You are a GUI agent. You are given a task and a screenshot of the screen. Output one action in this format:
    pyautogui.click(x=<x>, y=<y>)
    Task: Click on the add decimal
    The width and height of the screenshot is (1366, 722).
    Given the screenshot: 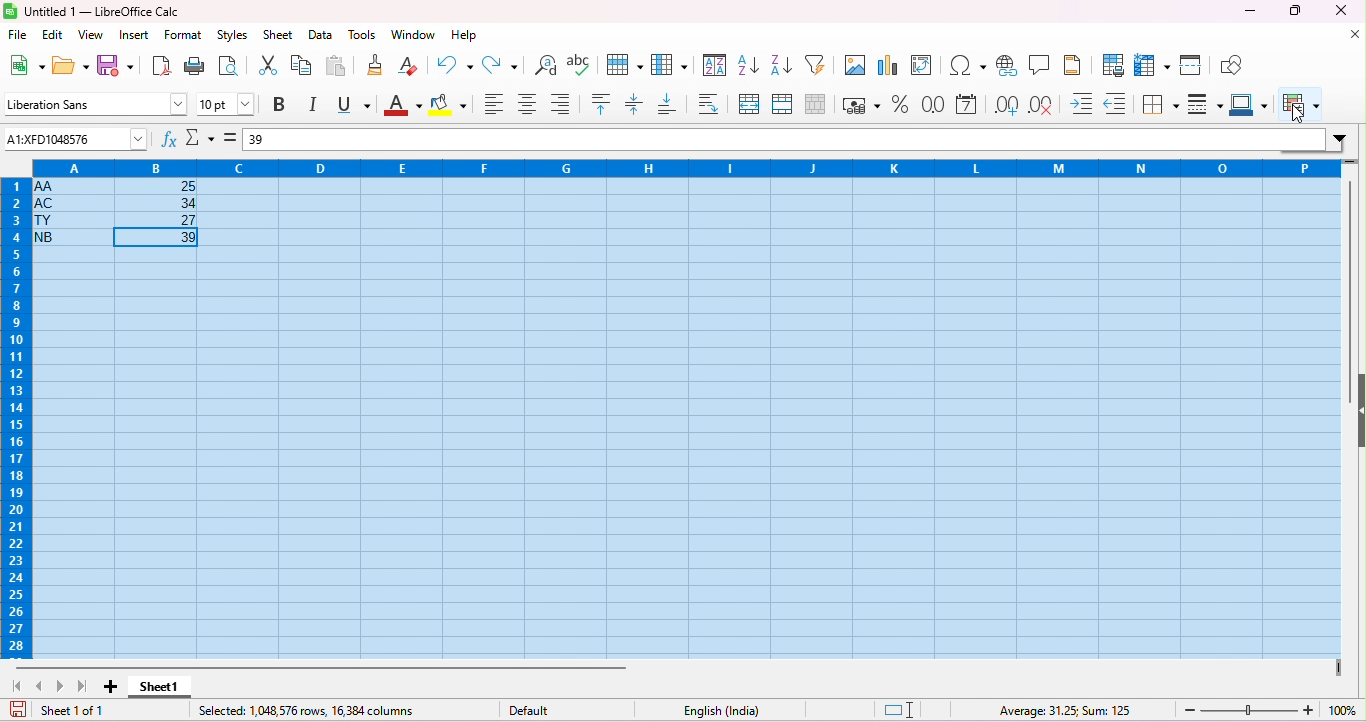 What is the action you would take?
    pyautogui.click(x=1006, y=105)
    